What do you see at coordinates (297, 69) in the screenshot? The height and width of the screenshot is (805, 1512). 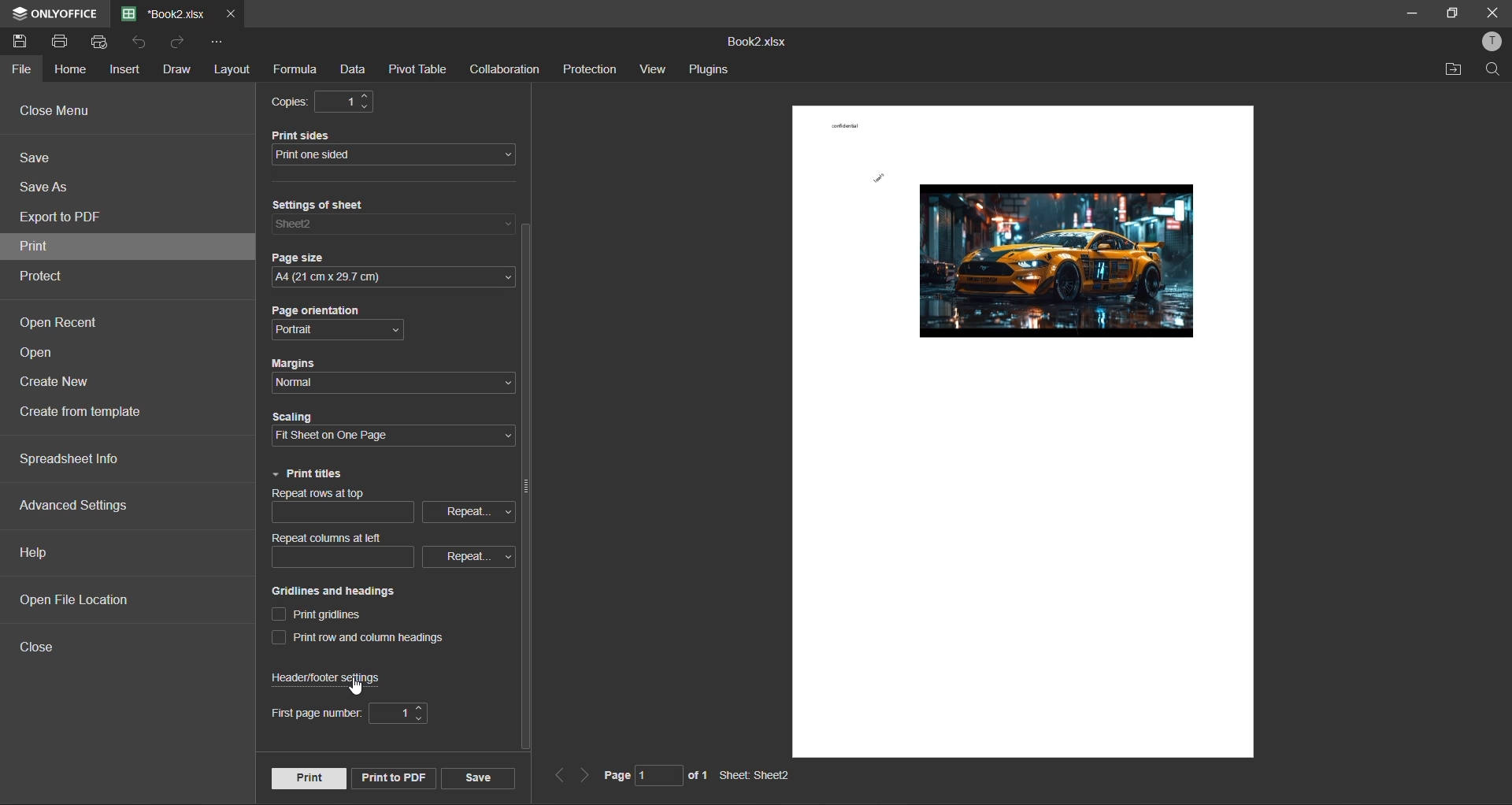 I see `formula` at bounding box center [297, 69].